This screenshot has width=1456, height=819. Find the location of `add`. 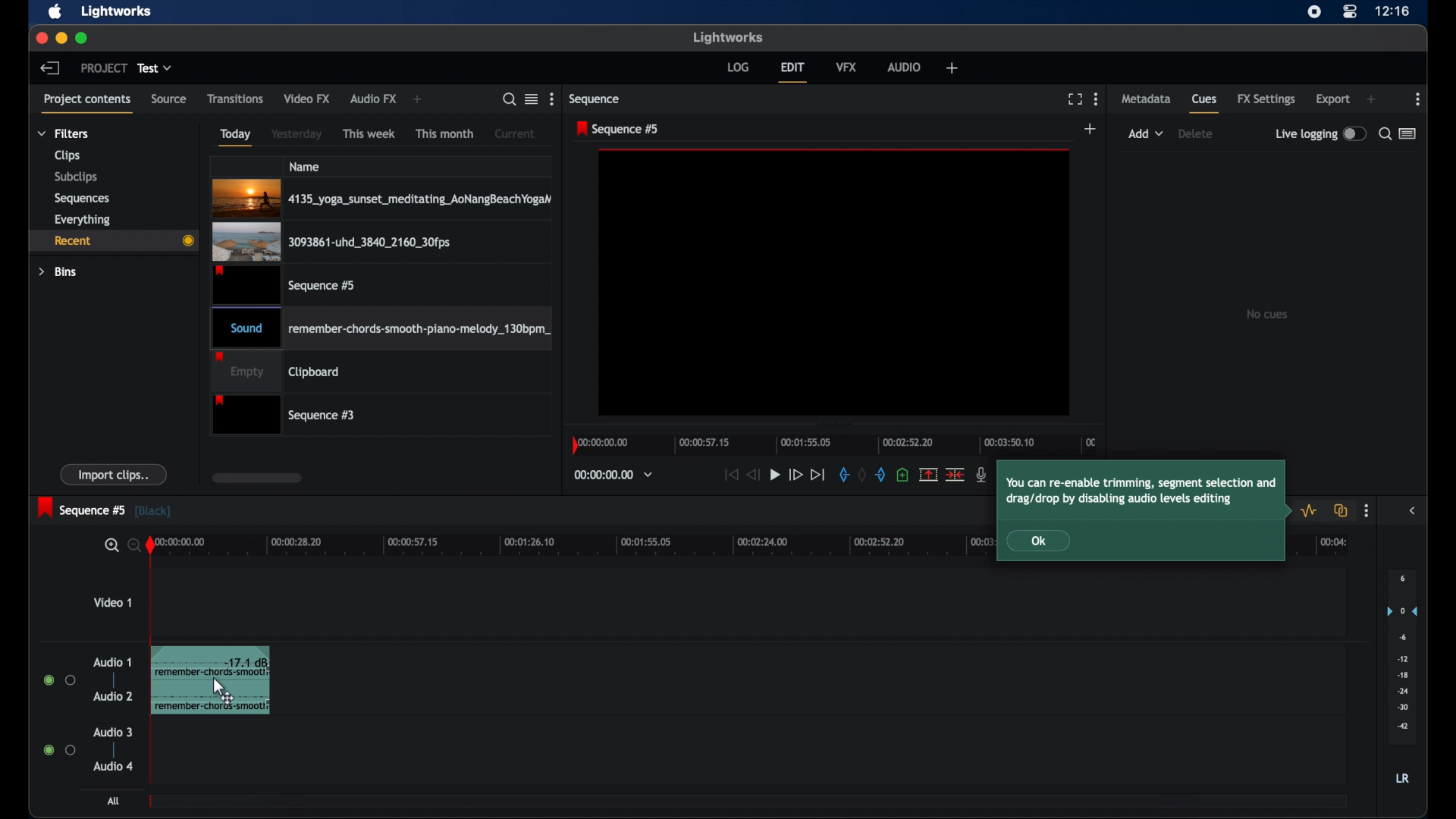

add is located at coordinates (419, 99).